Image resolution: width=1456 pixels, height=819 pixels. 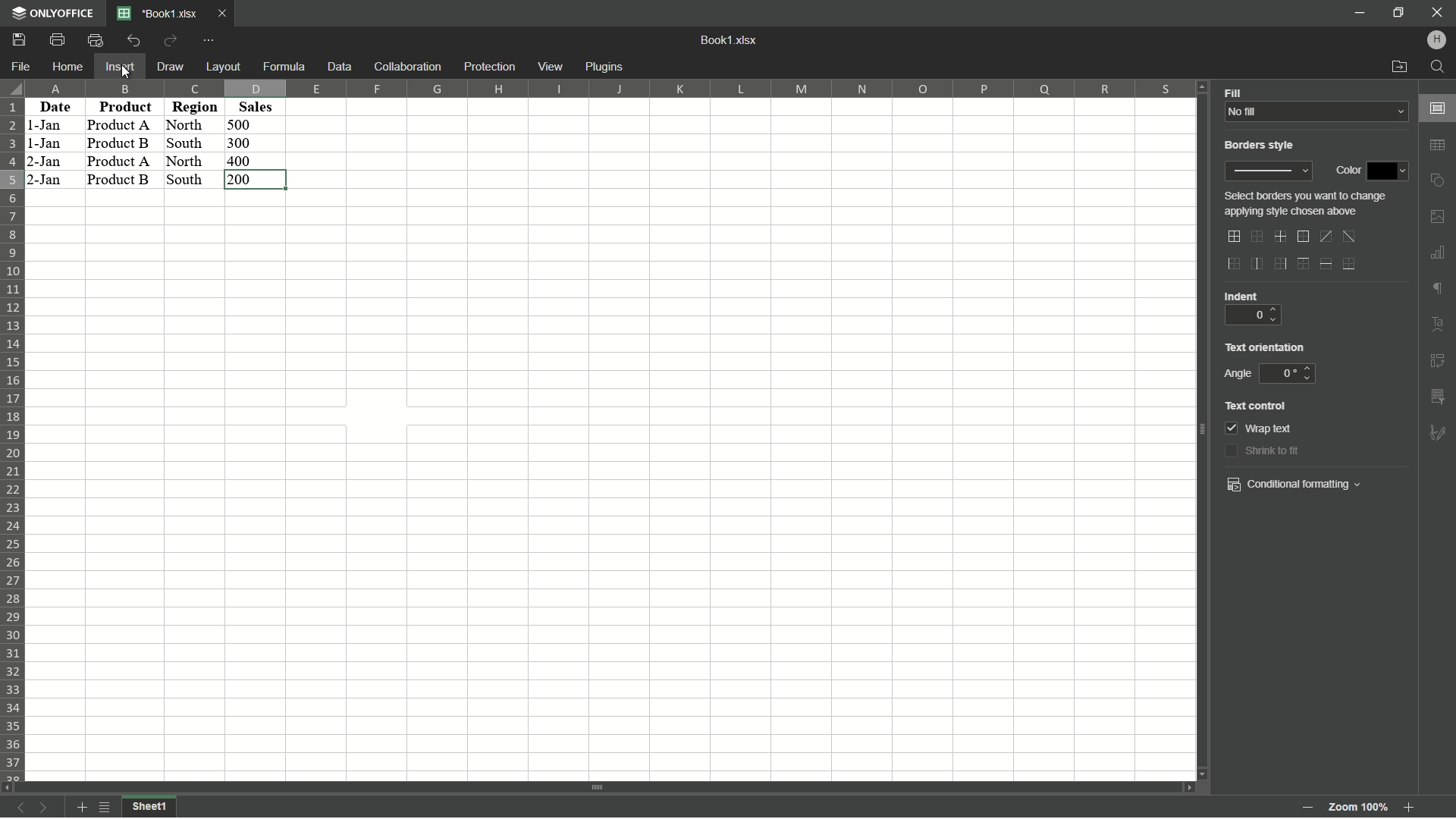 What do you see at coordinates (1234, 262) in the screenshot?
I see `outer left border` at bounding box center [1234, 262].